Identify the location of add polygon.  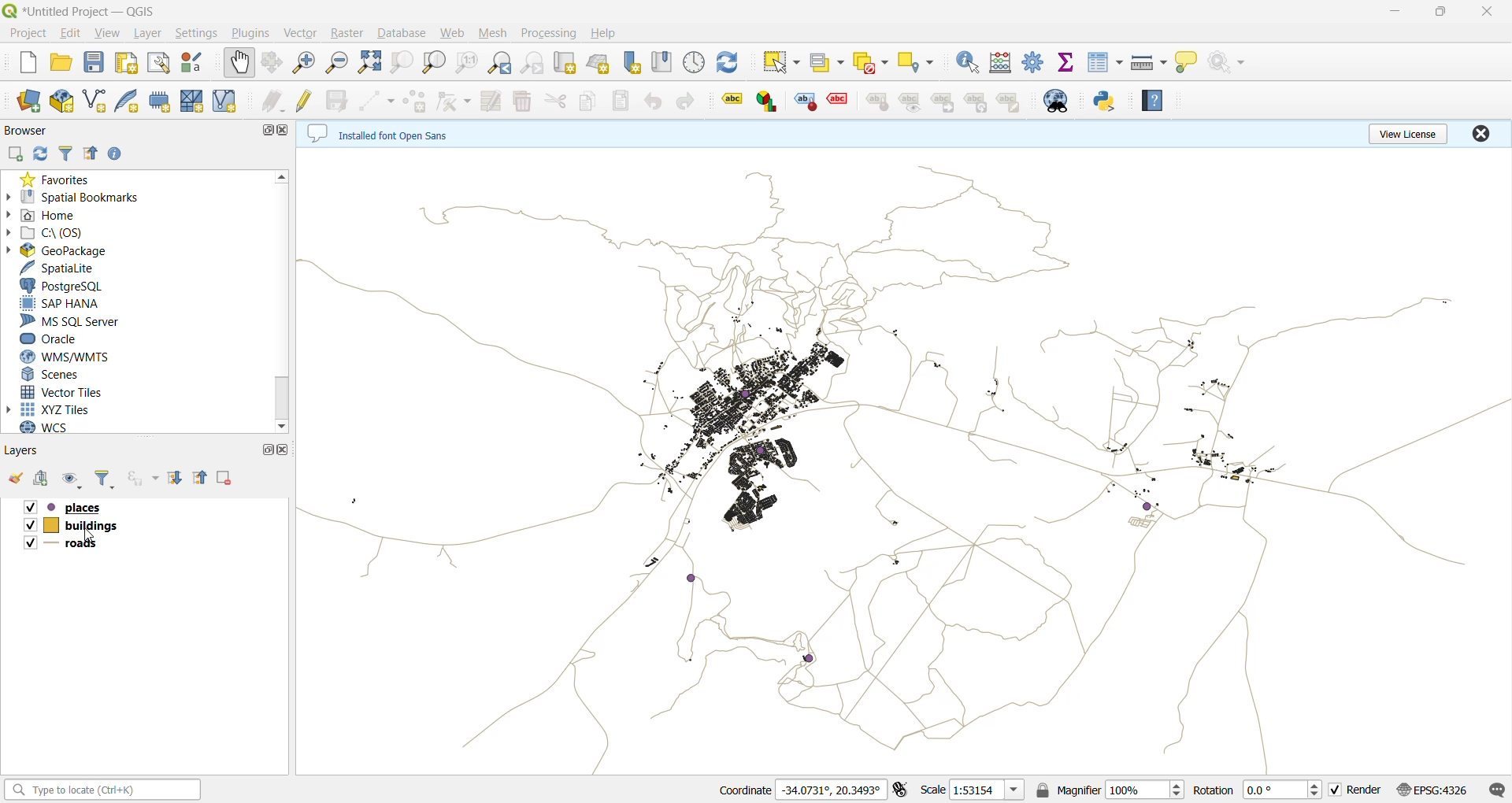
(418, 101).